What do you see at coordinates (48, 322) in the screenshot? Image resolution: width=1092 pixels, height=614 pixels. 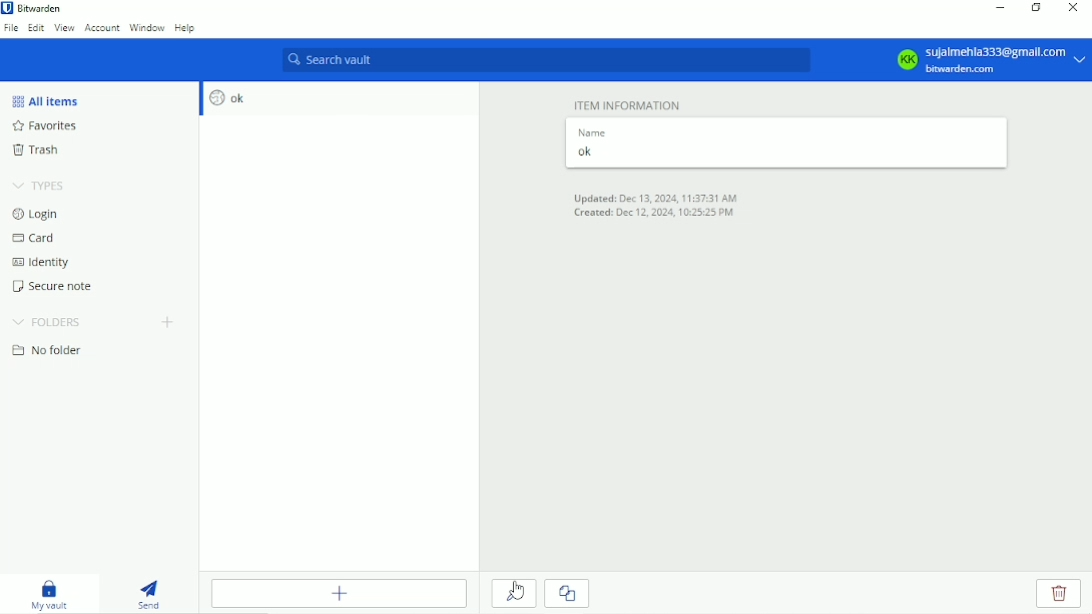 I see `Folders` at bounding box center [48, 322].